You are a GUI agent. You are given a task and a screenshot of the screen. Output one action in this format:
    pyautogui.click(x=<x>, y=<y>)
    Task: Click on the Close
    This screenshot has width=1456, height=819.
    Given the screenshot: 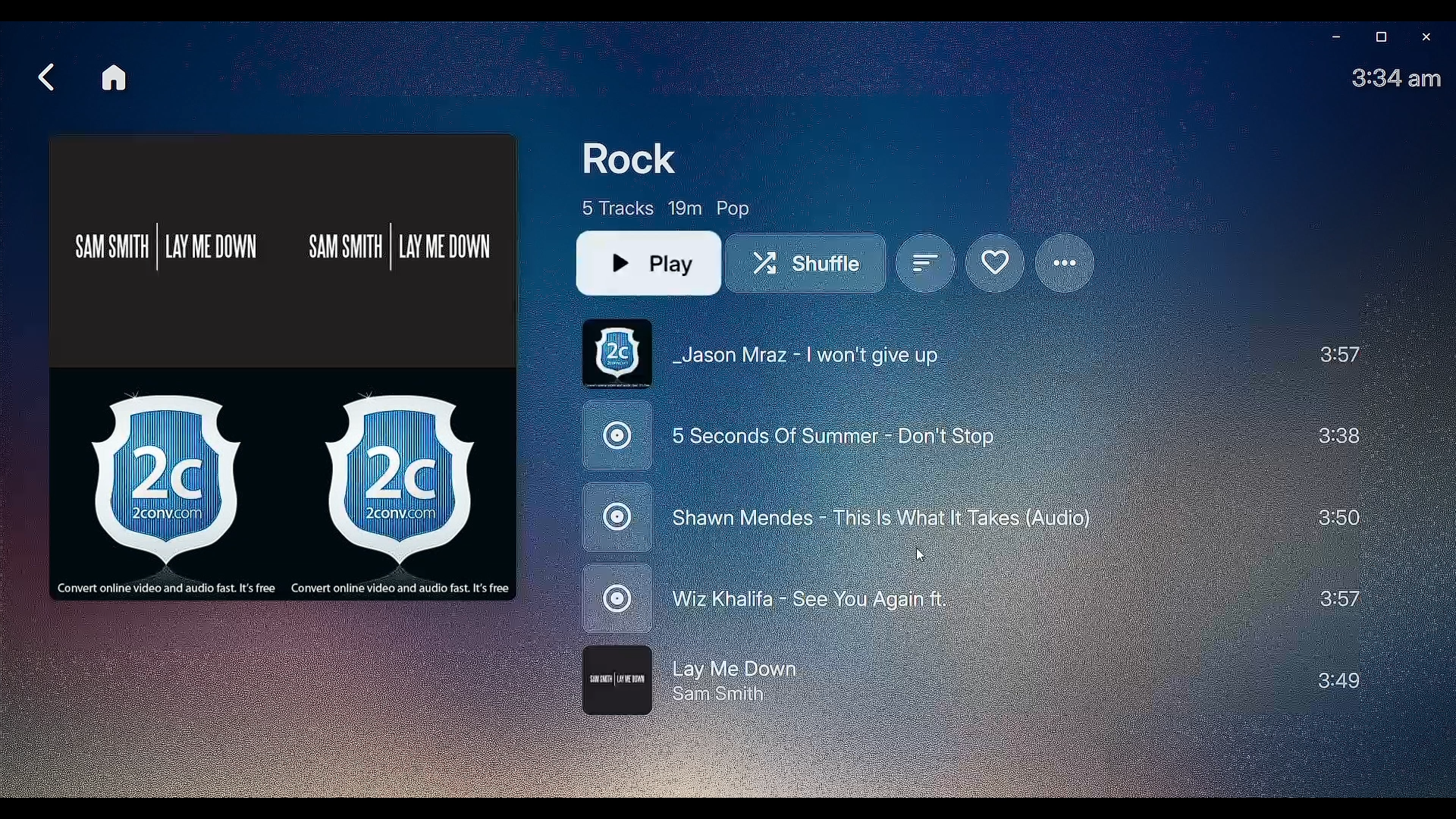 What is the action you would take?
    pyautogui.click(x=1426, y=38)
    